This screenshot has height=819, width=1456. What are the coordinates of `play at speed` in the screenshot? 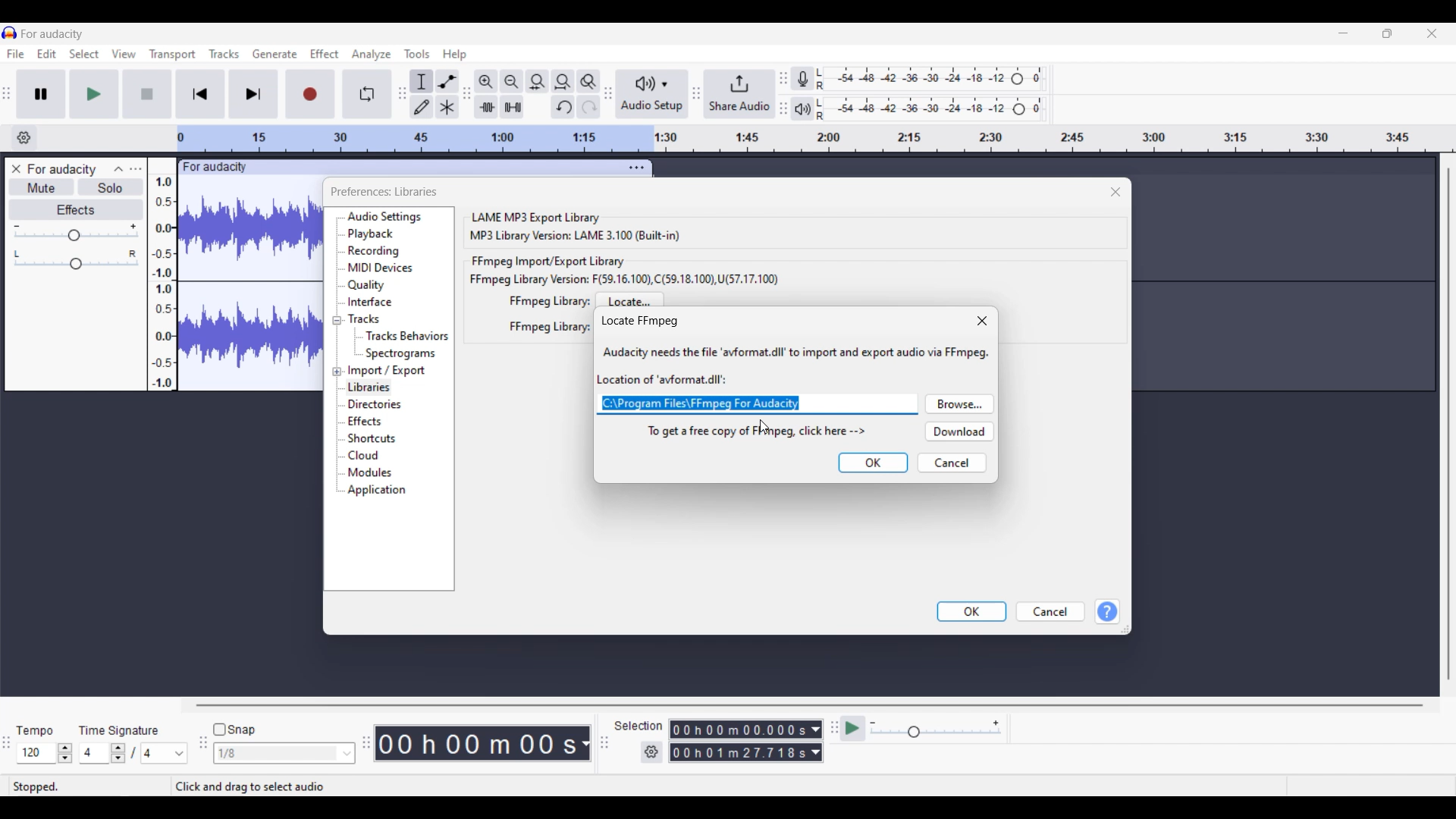 It's located at (852, 727).